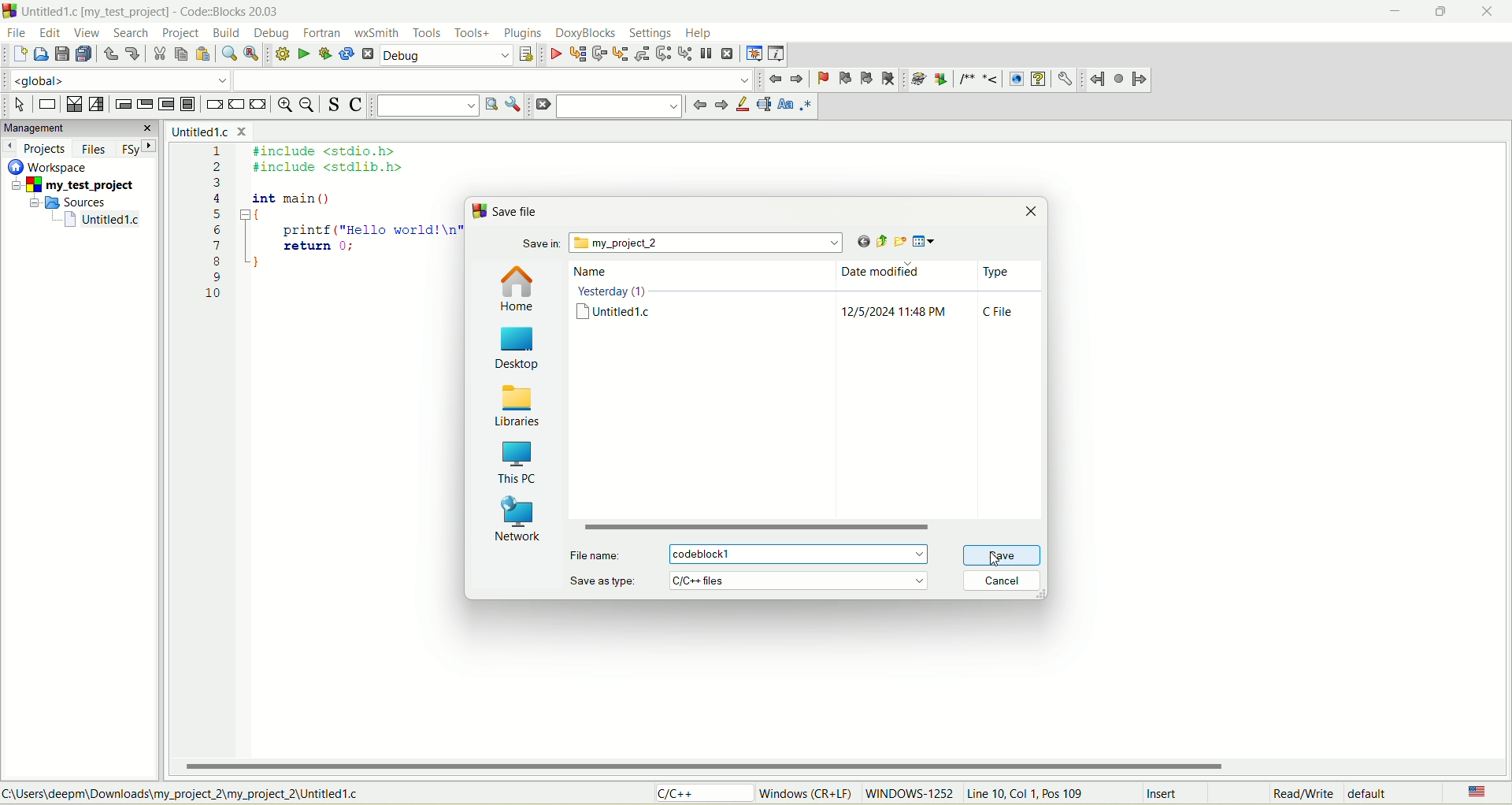 The width and height of the screenshot is (1512, 805). I want to click on save everything, so click(83, 54).